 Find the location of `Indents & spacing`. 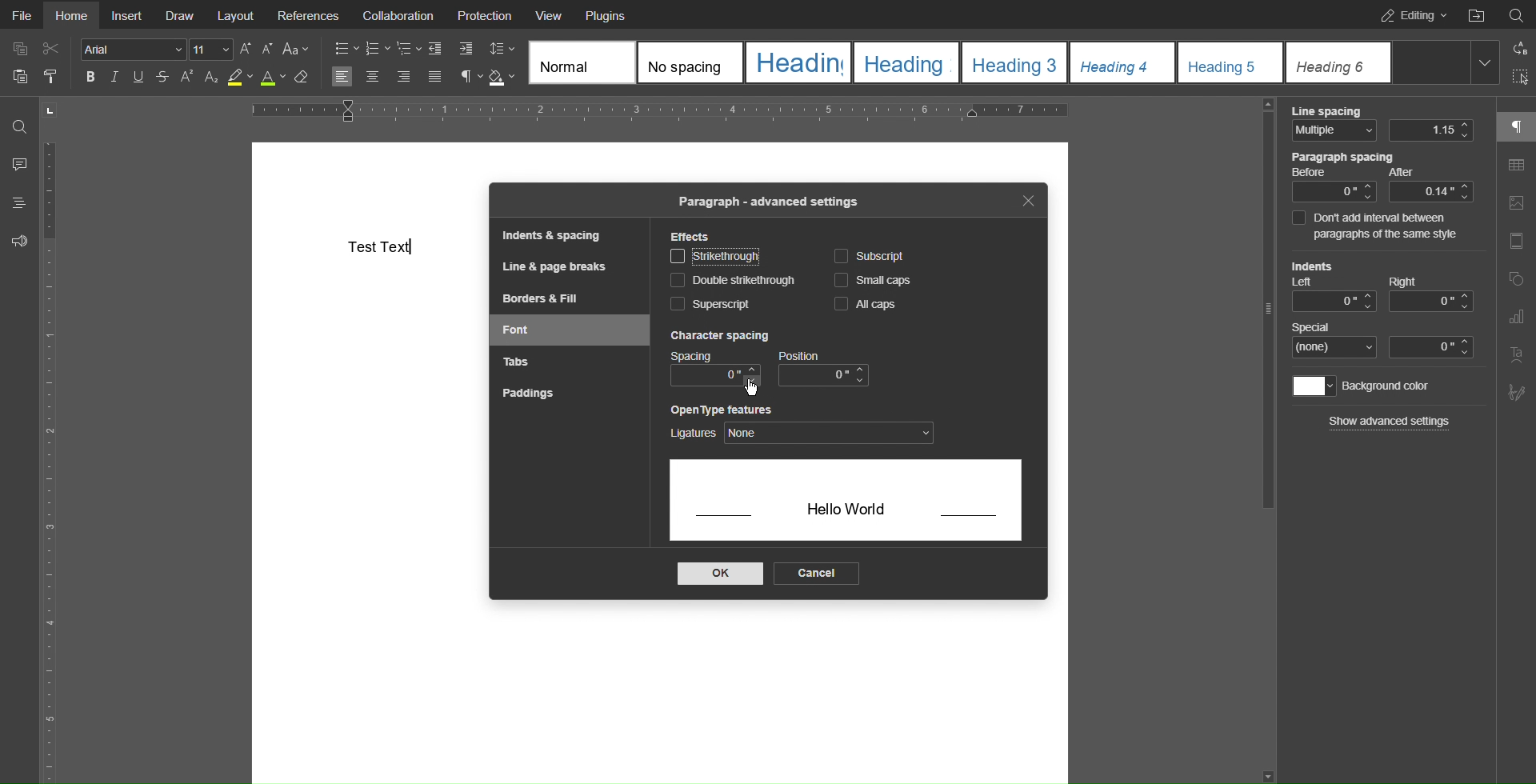

Indents & spacing is located at coordinates (554, 235).